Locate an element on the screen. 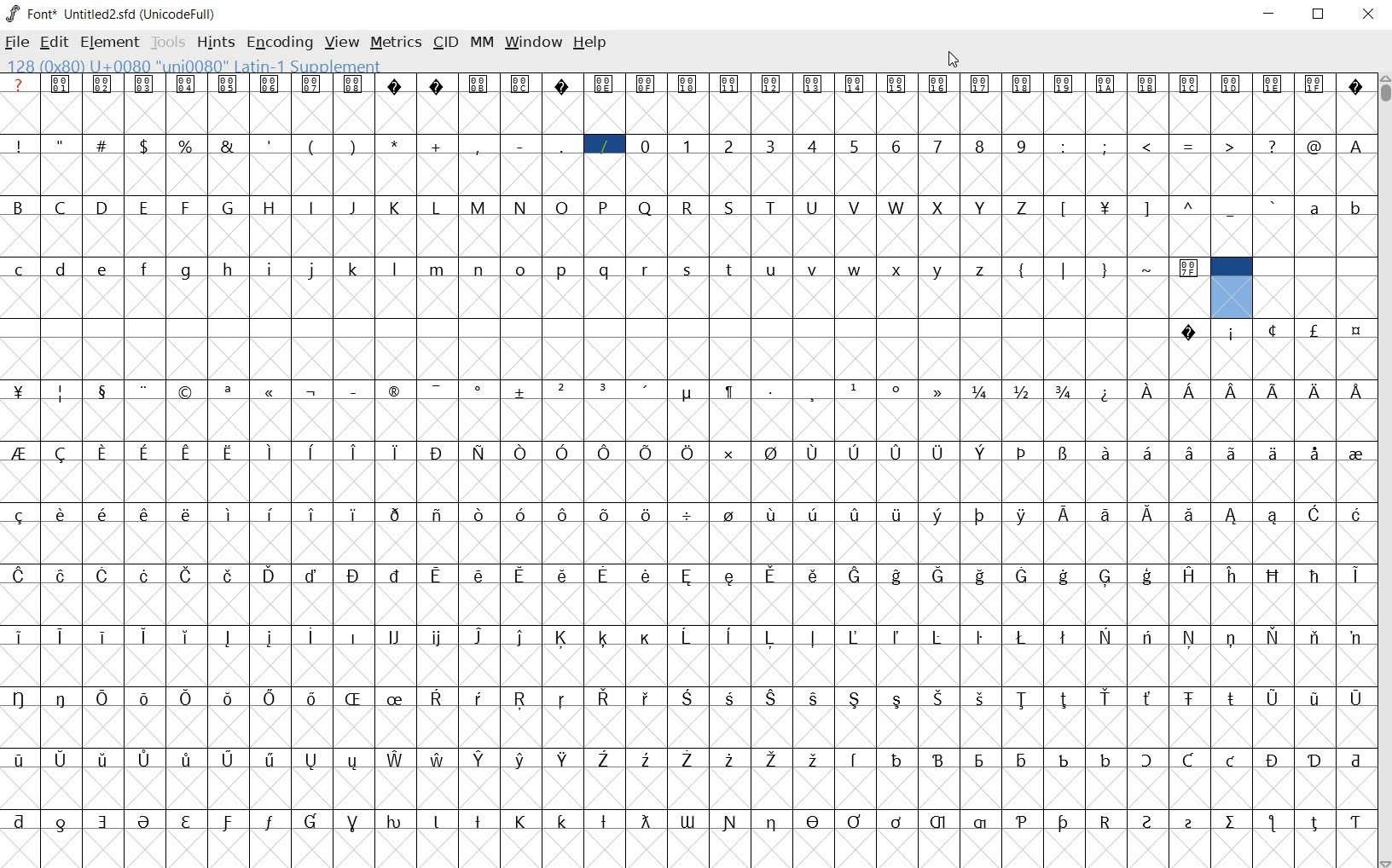  Symbol is located at coordinates (354, 575).